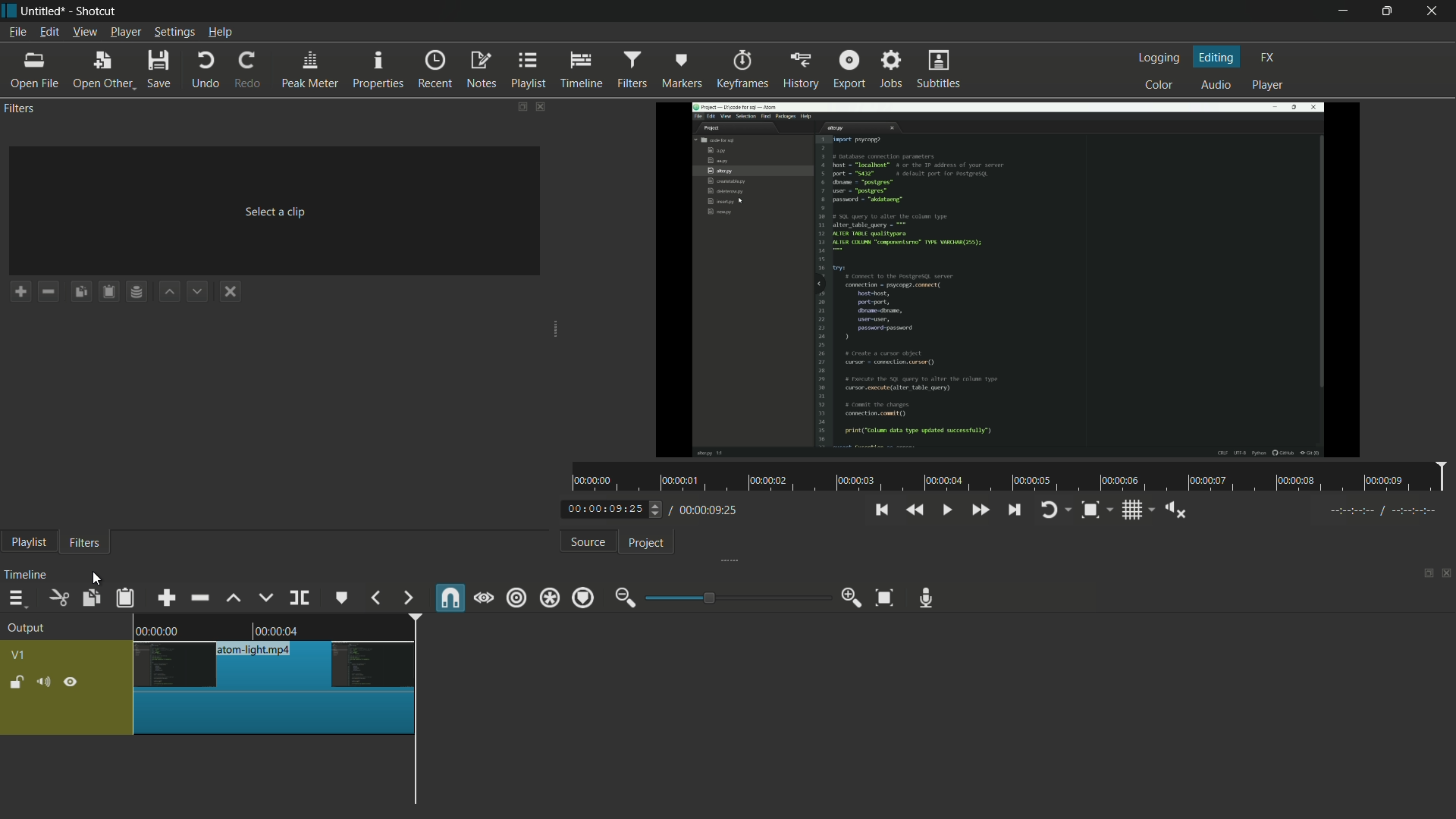 The image size is (1456, 819). Describe the element at coordinates (740, 70) in the screenshot. I see `keyframes` at that location.